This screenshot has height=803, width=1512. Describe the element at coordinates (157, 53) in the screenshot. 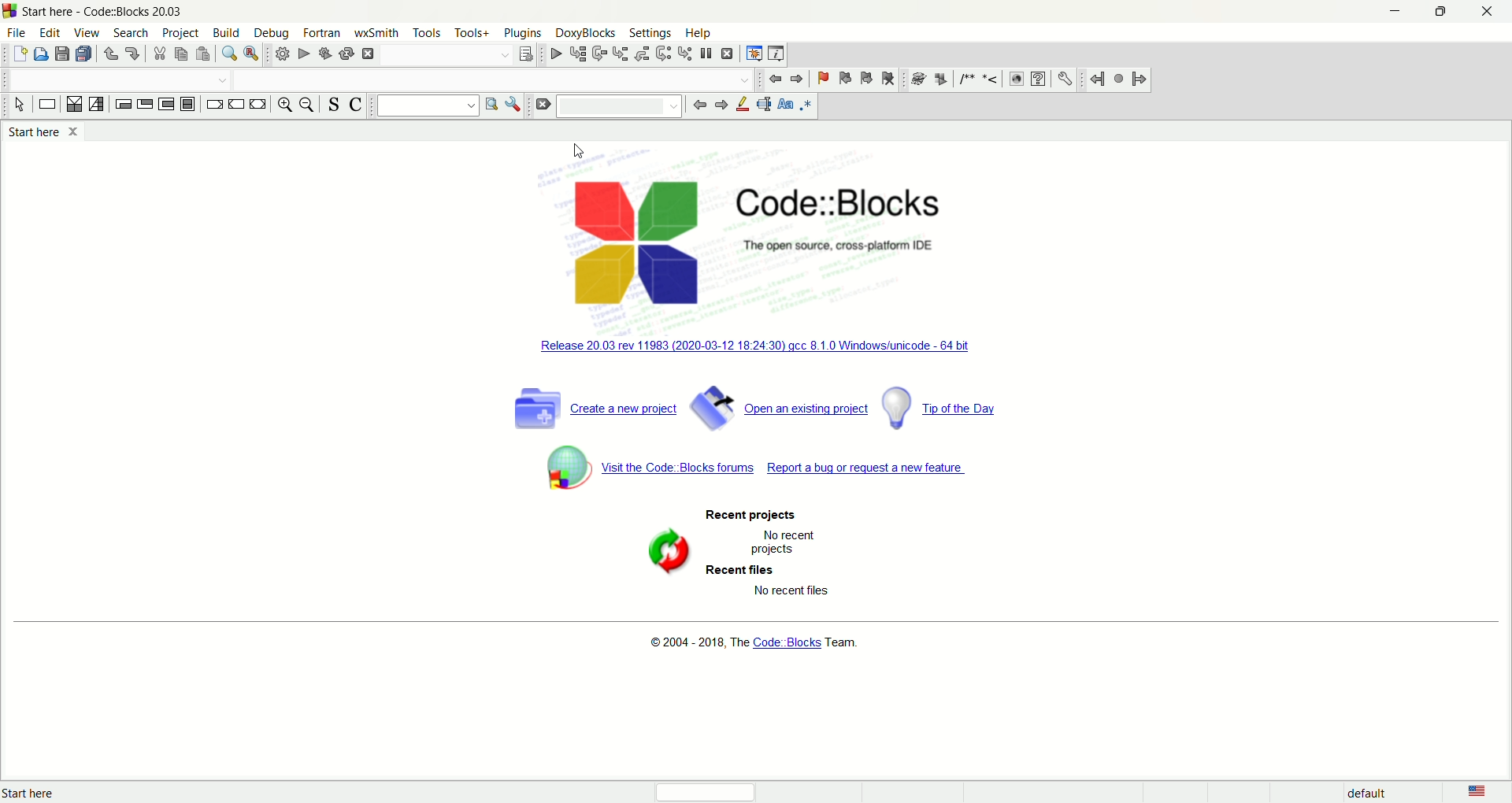

I see `cut` at that location.